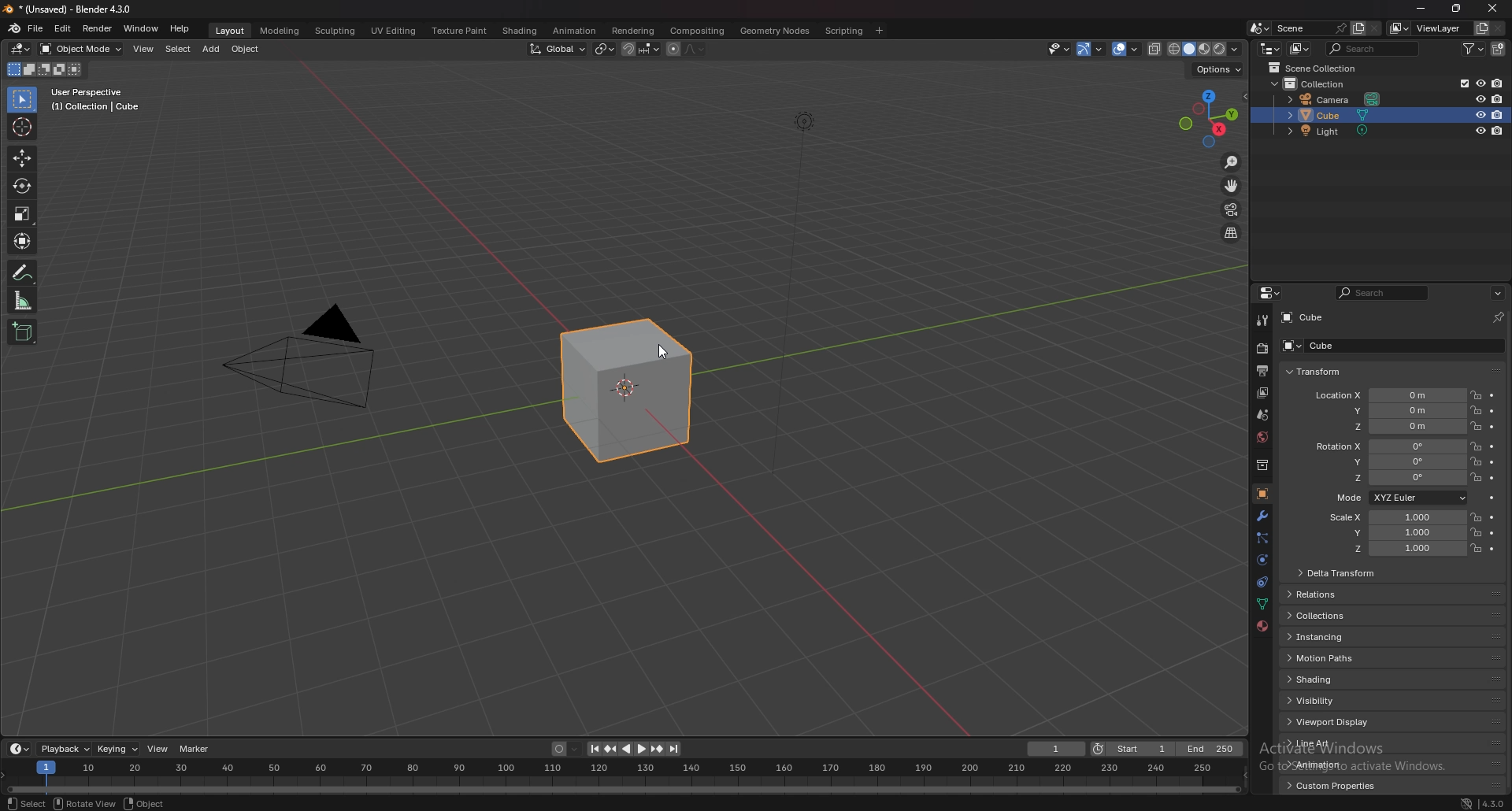 The width and height of the screenshot is (1512, 811). What do you see at coordinates (231, 31) in the screenshot?
I see `layout` at bounding box center [231, 31].